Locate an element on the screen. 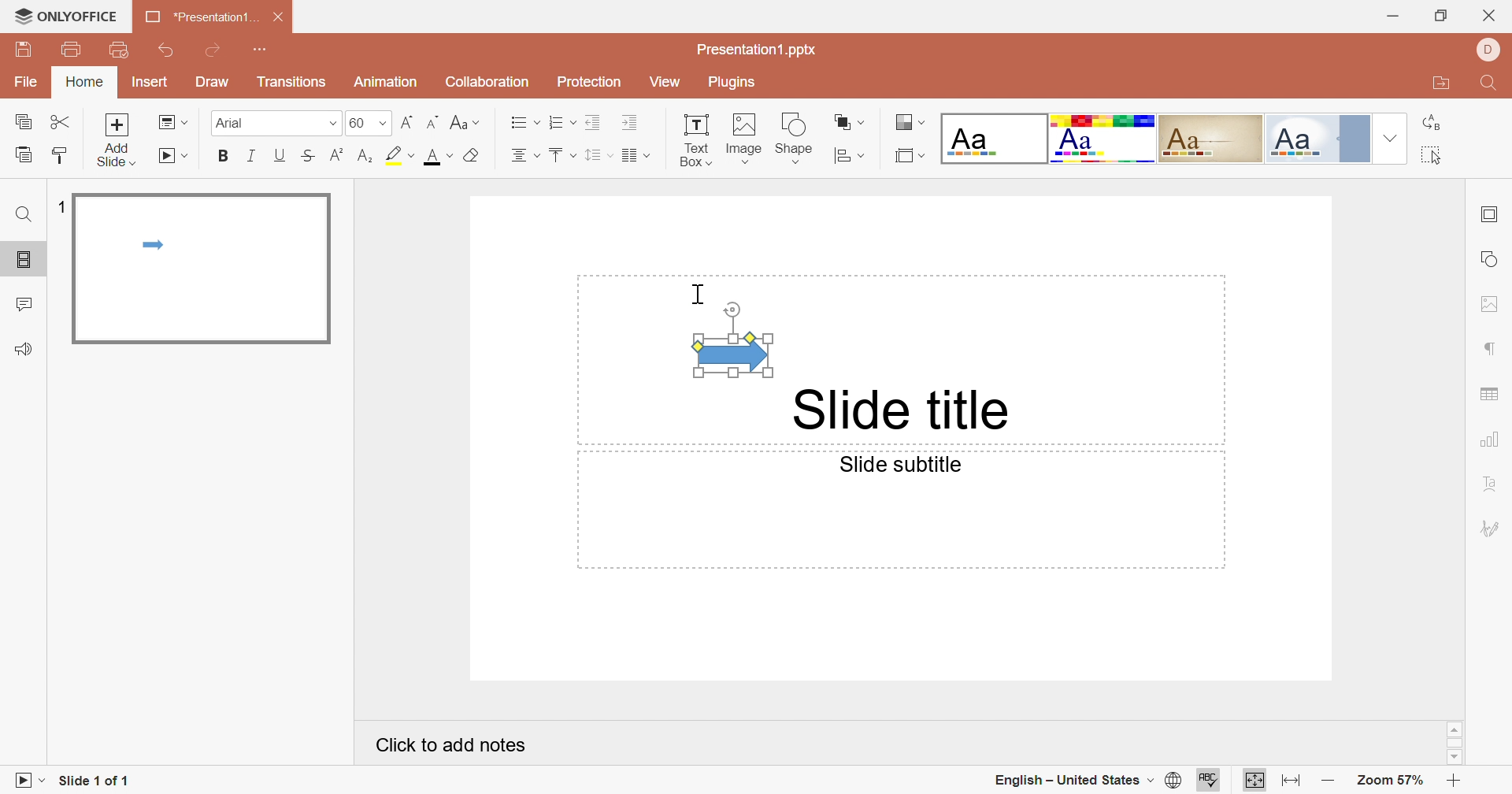  Italic is located at coordinates (250, 155).